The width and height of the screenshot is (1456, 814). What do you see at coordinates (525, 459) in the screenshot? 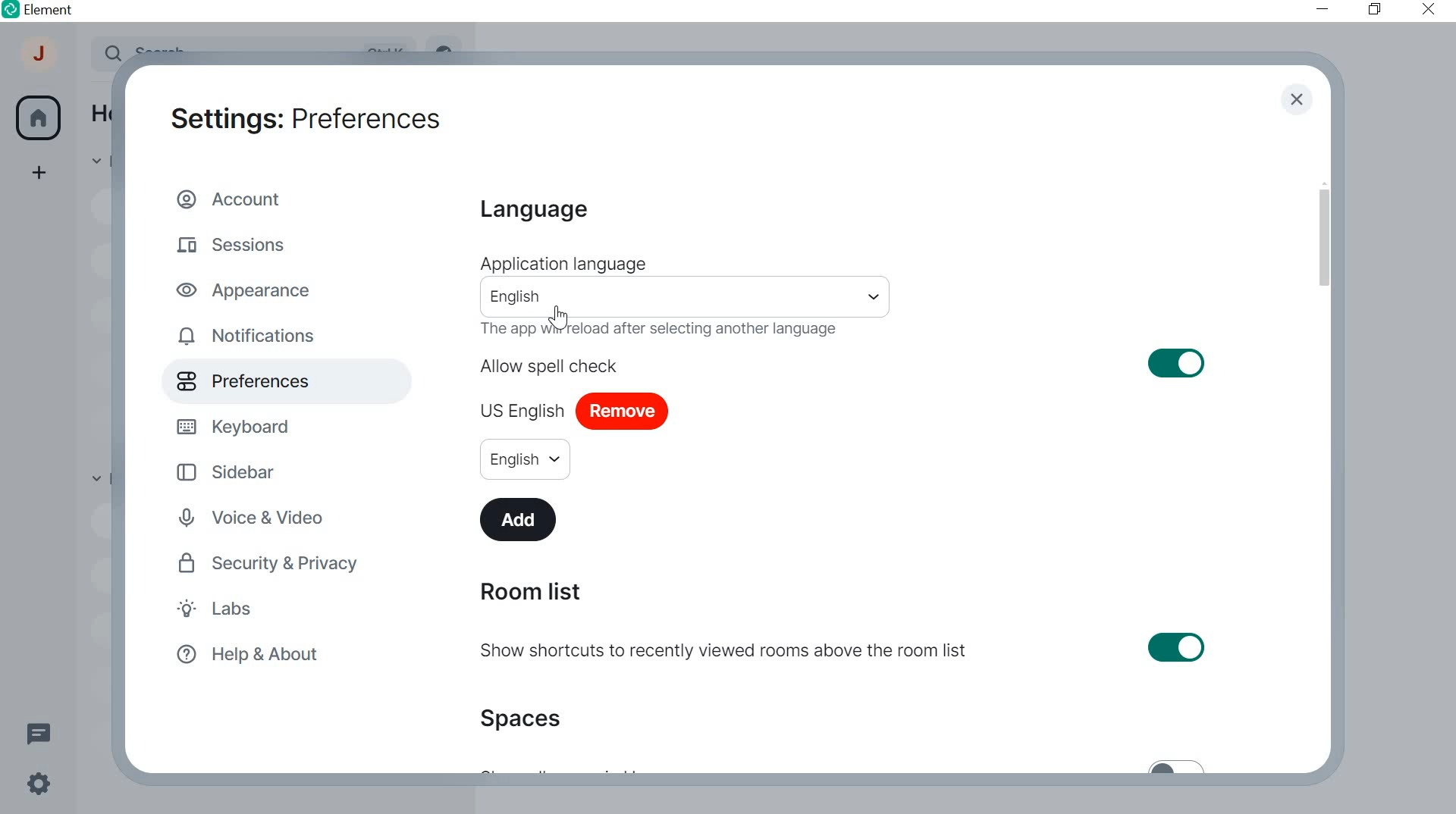
I see `Set language for spellcheck` at bounding box center [525, 459].